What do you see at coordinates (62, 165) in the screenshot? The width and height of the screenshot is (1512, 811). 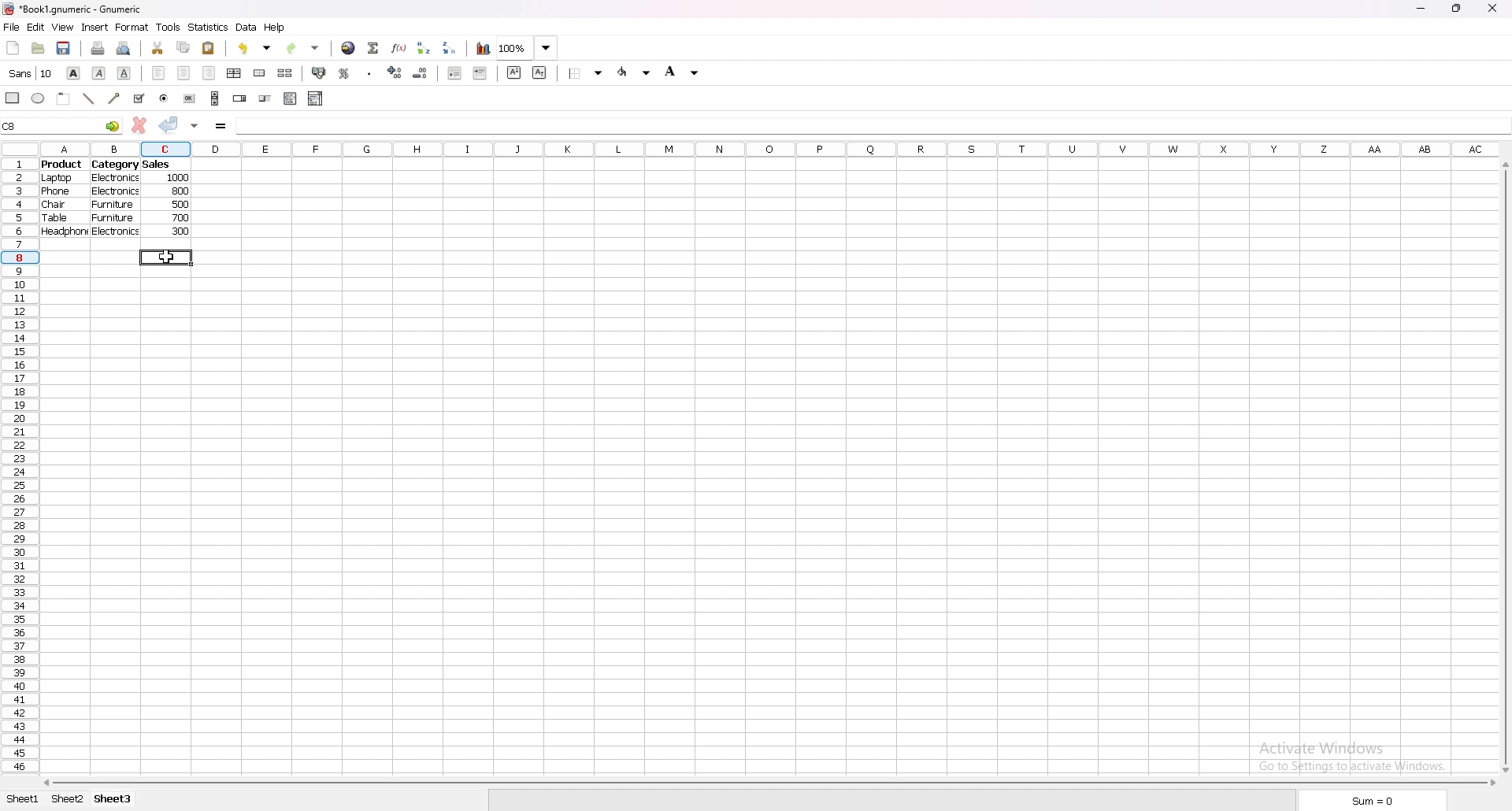 I see `product` at bounding box center [62, 165].